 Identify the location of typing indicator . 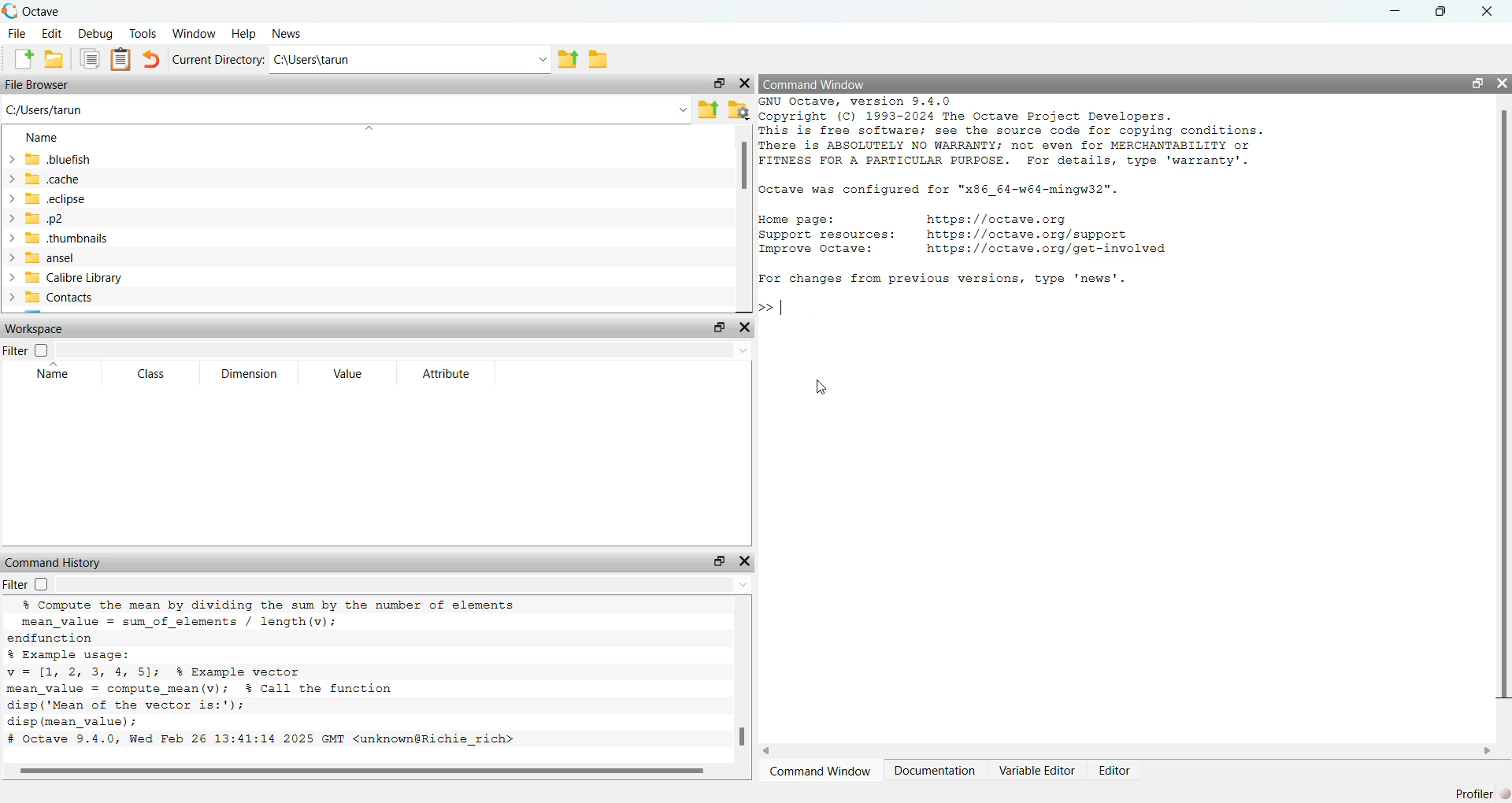
(783, 309).